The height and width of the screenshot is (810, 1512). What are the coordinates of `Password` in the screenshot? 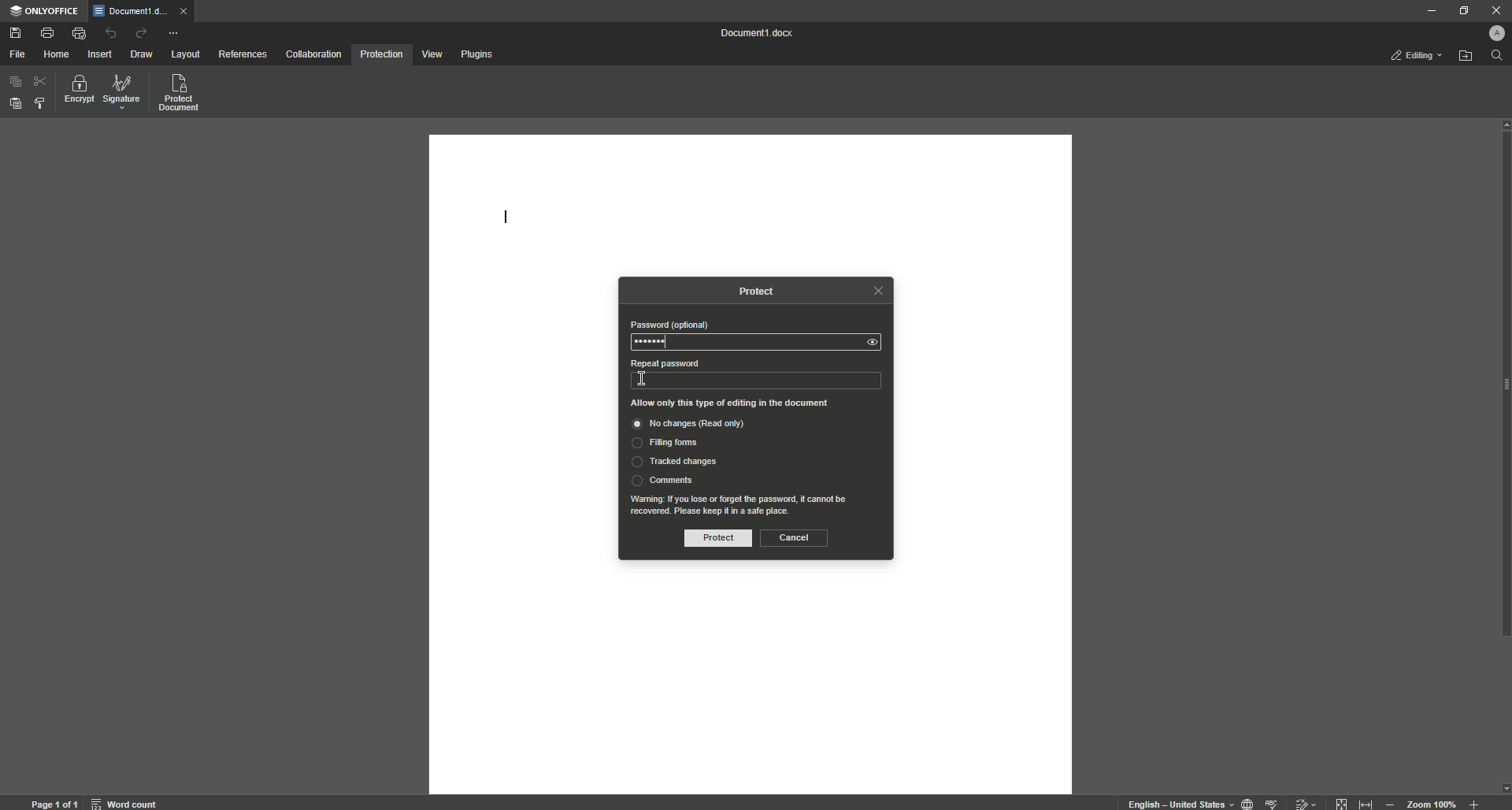 It's located at (669, 325).